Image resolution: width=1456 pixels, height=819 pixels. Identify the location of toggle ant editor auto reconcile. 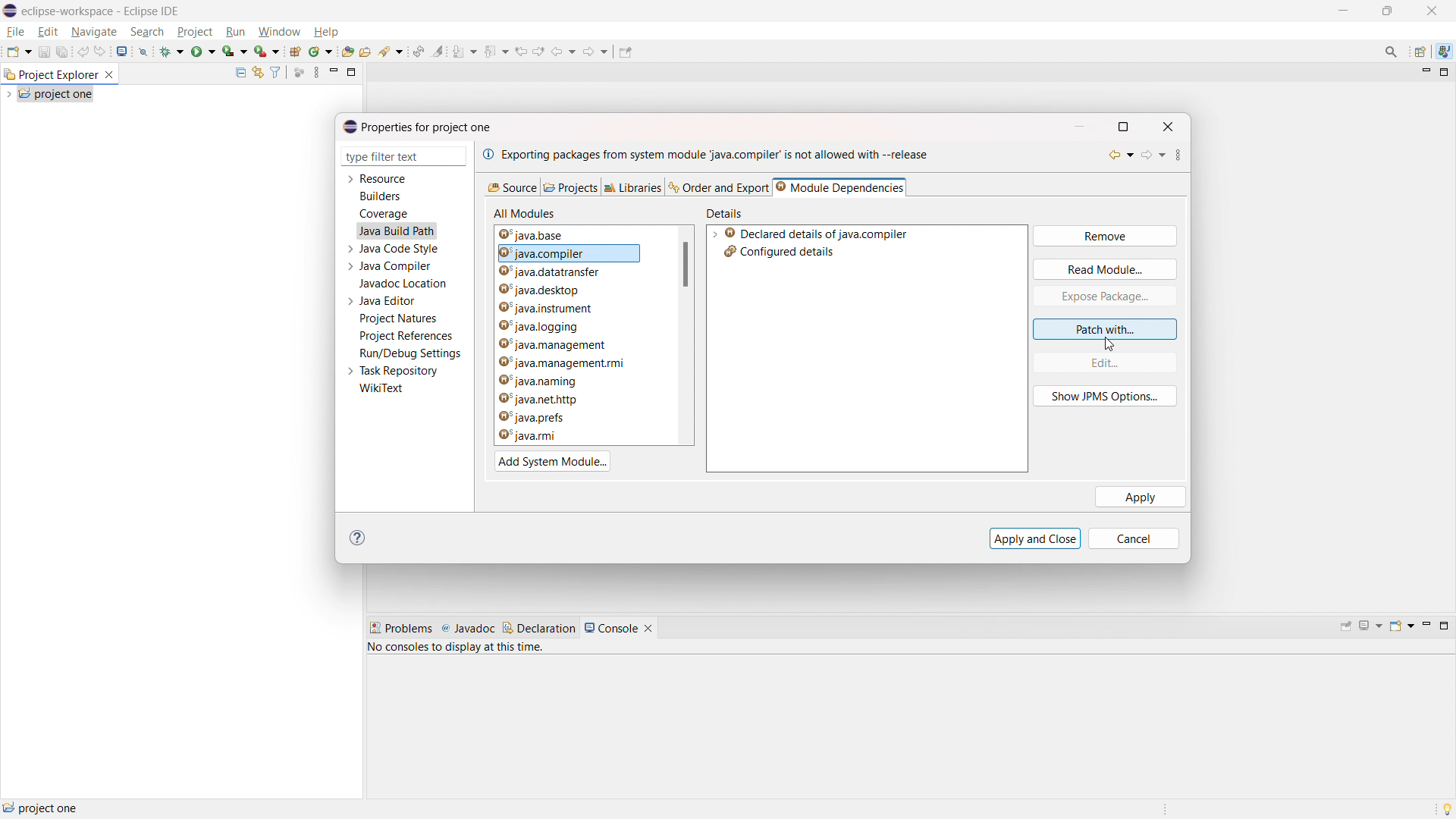
(418, 51).